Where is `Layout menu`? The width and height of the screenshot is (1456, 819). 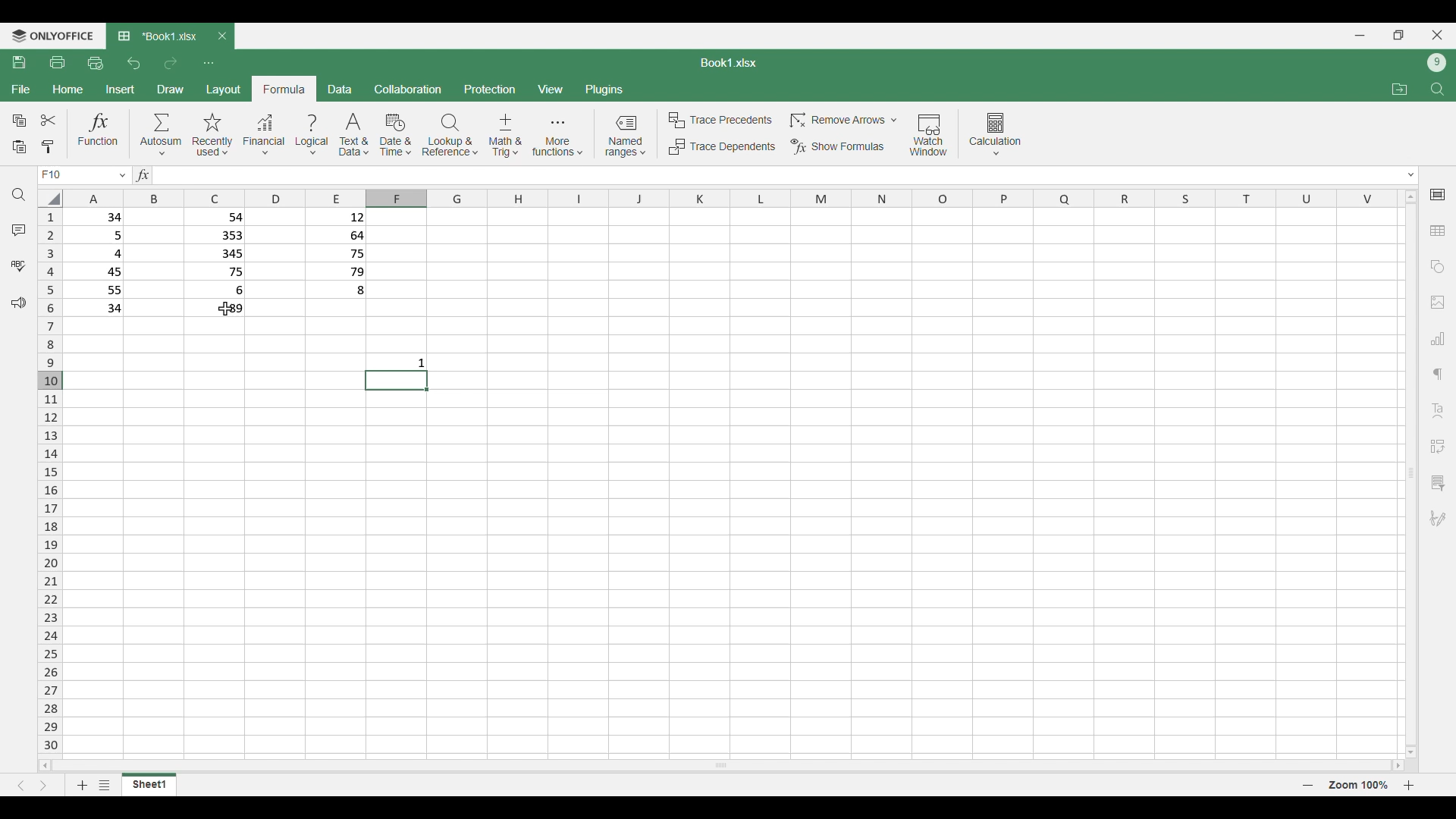
Layout menu is located at coordinates (224, 89).